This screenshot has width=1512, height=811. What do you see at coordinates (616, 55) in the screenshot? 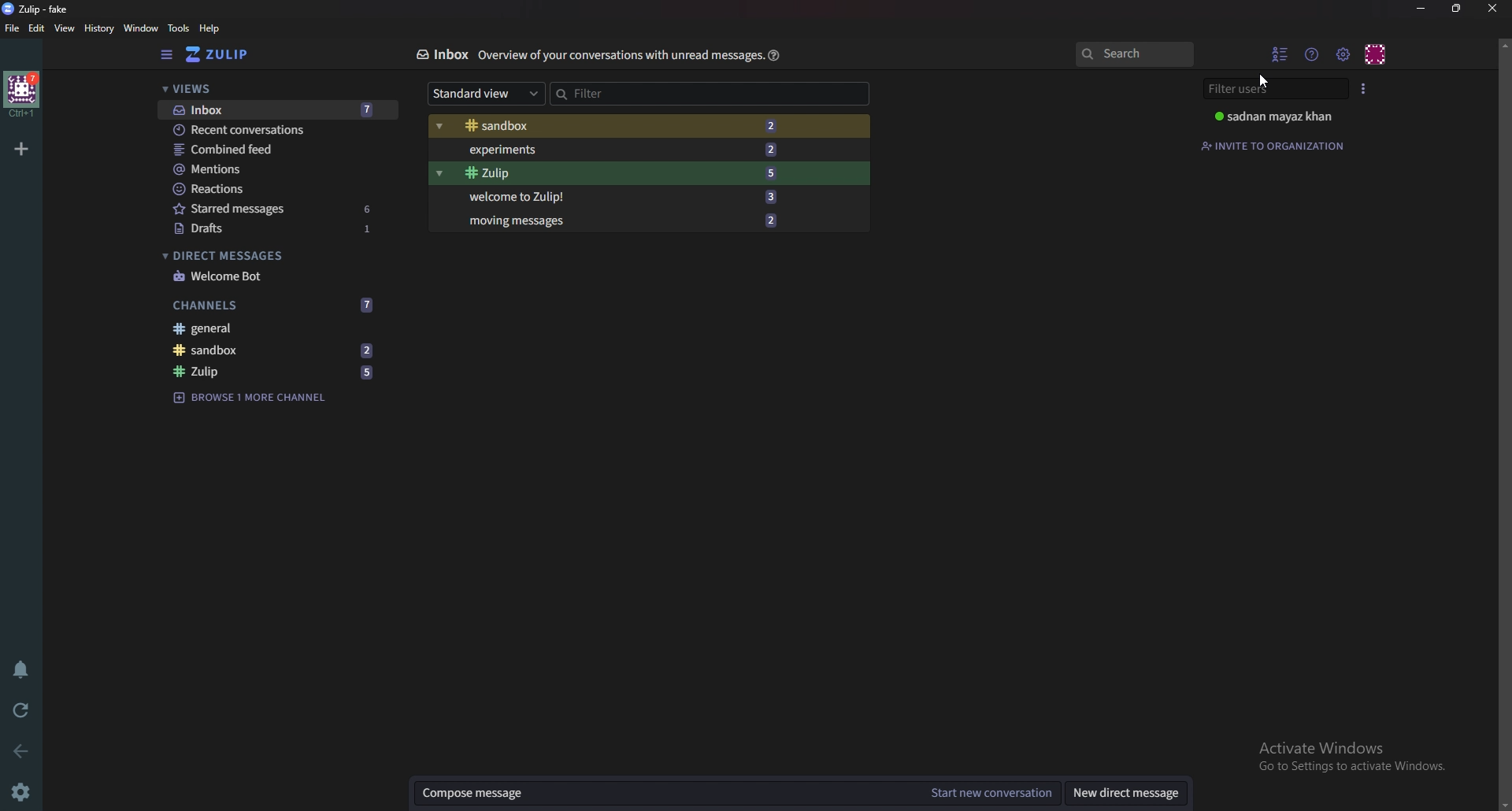
I see `Info` at bounding box center [616, 55].